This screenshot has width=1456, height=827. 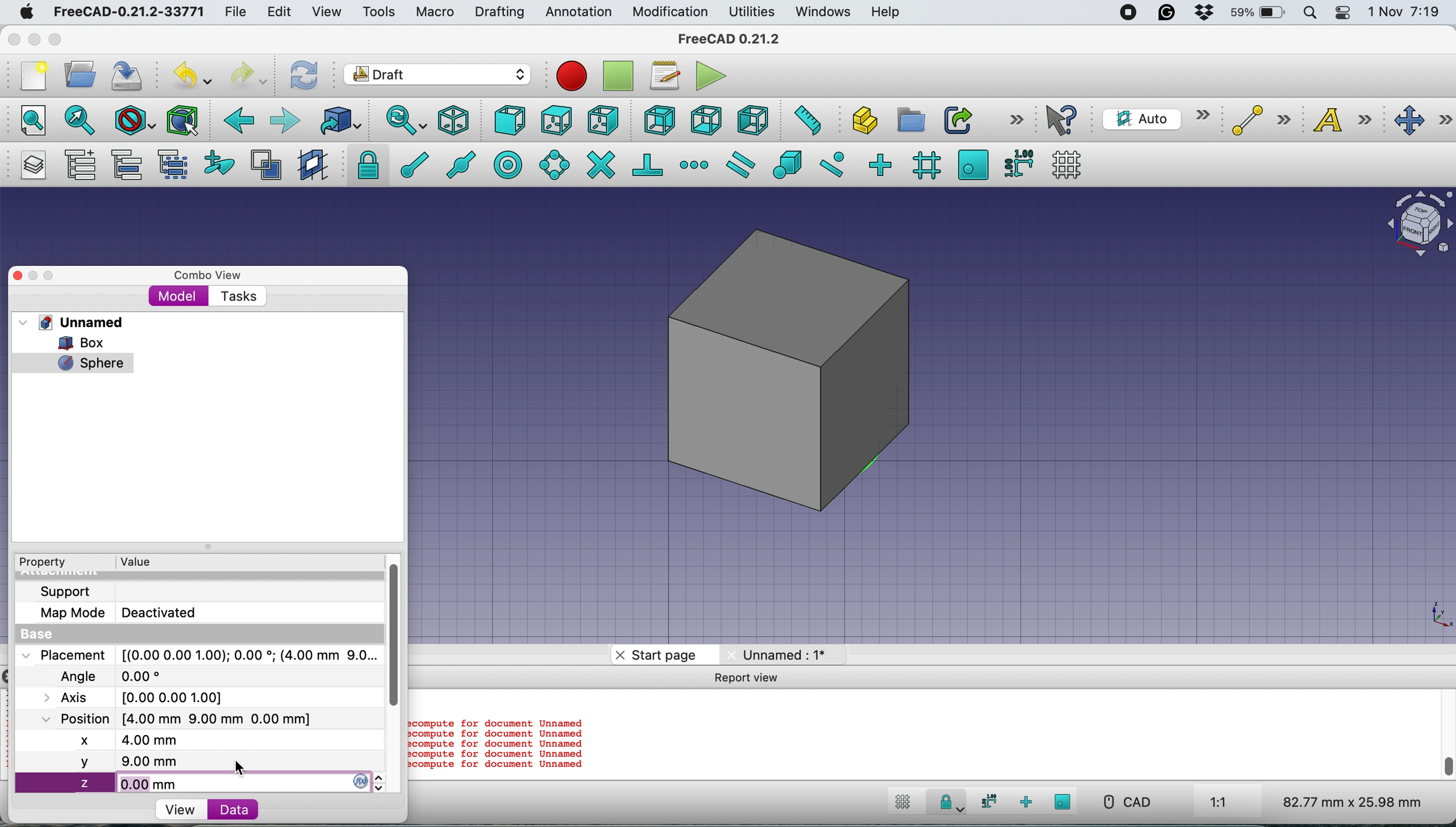 I want to click on close, so click(x=29, y=273).